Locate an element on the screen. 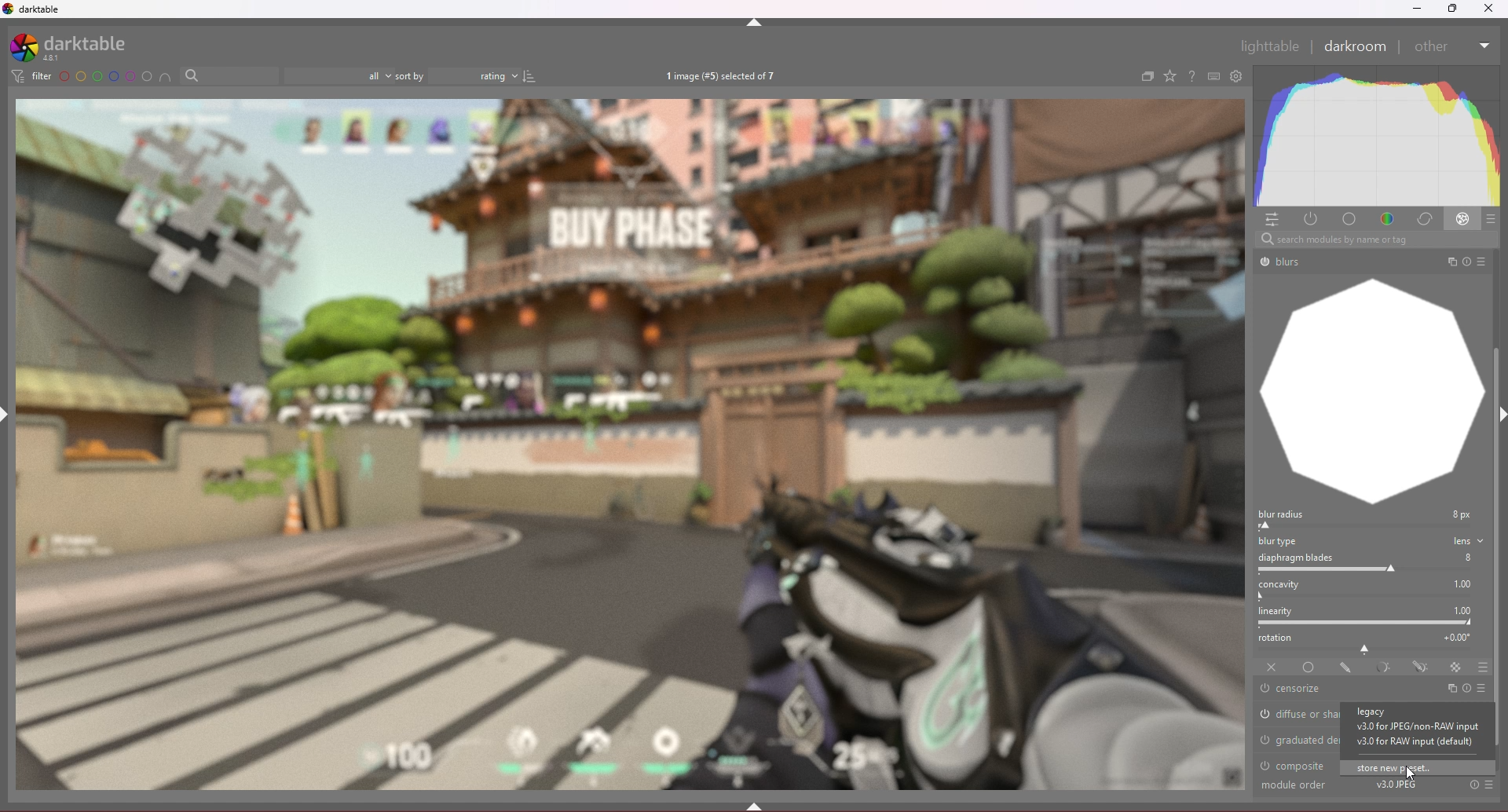 The height and width of the screenshot is (812, 1508). store new preset is located at coordinates (1418, 769).